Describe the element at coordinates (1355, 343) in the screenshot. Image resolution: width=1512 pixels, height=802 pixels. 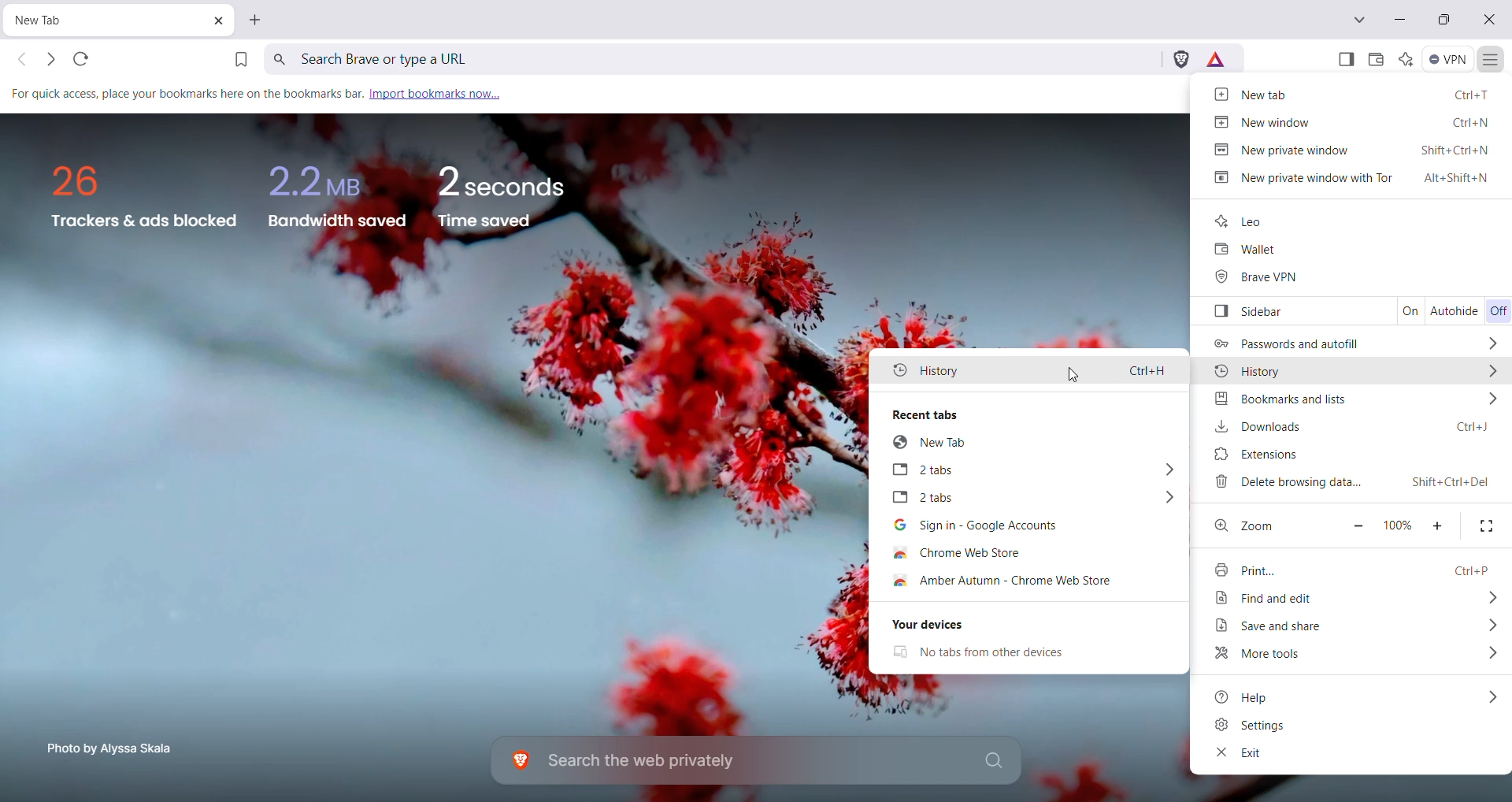
I see `Password and autofill` at that location.